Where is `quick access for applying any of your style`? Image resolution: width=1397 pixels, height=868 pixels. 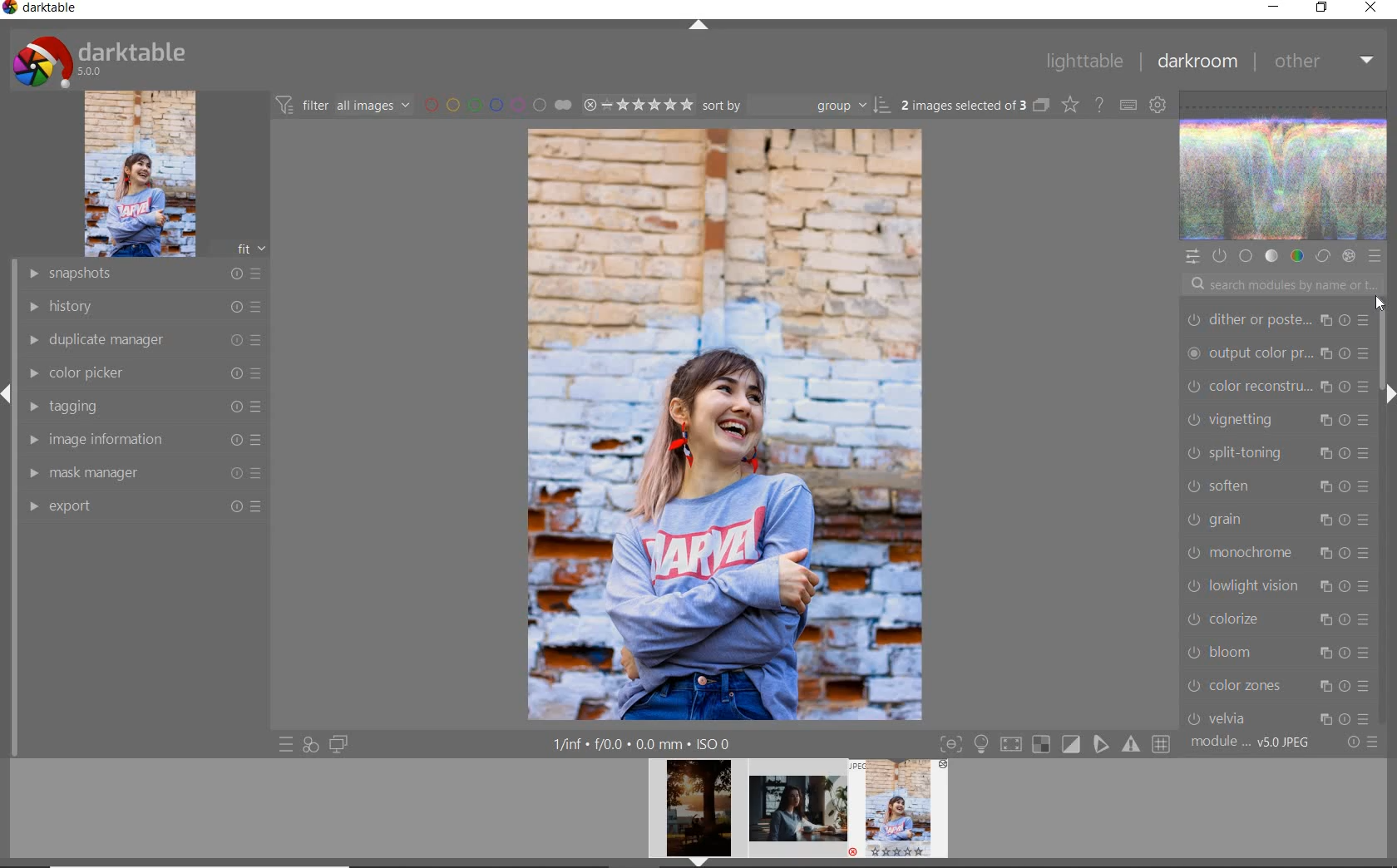
quick access for applying any of your style is located at coordinates (309, 744).